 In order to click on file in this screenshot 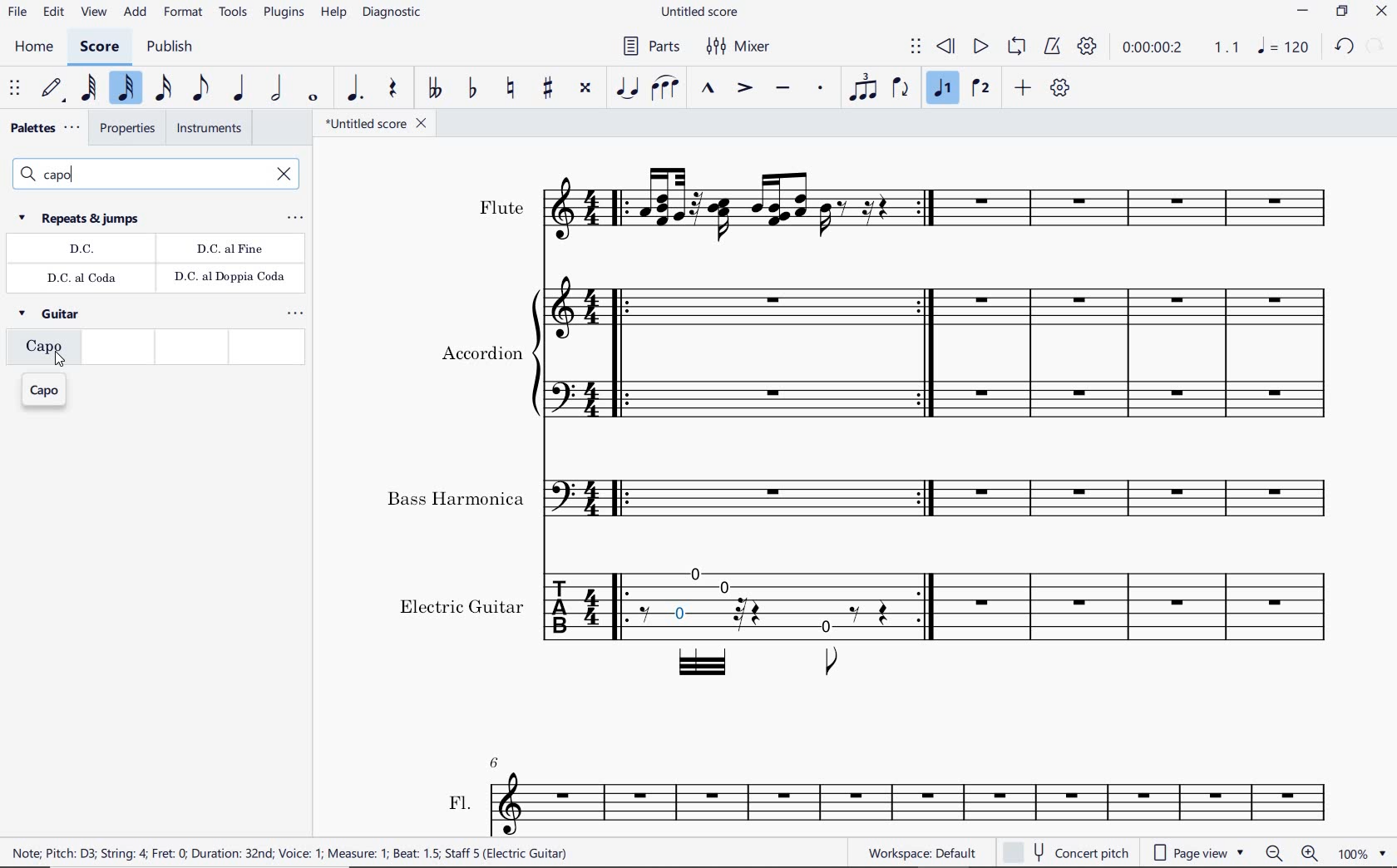, I will do `click(18, 13)`.